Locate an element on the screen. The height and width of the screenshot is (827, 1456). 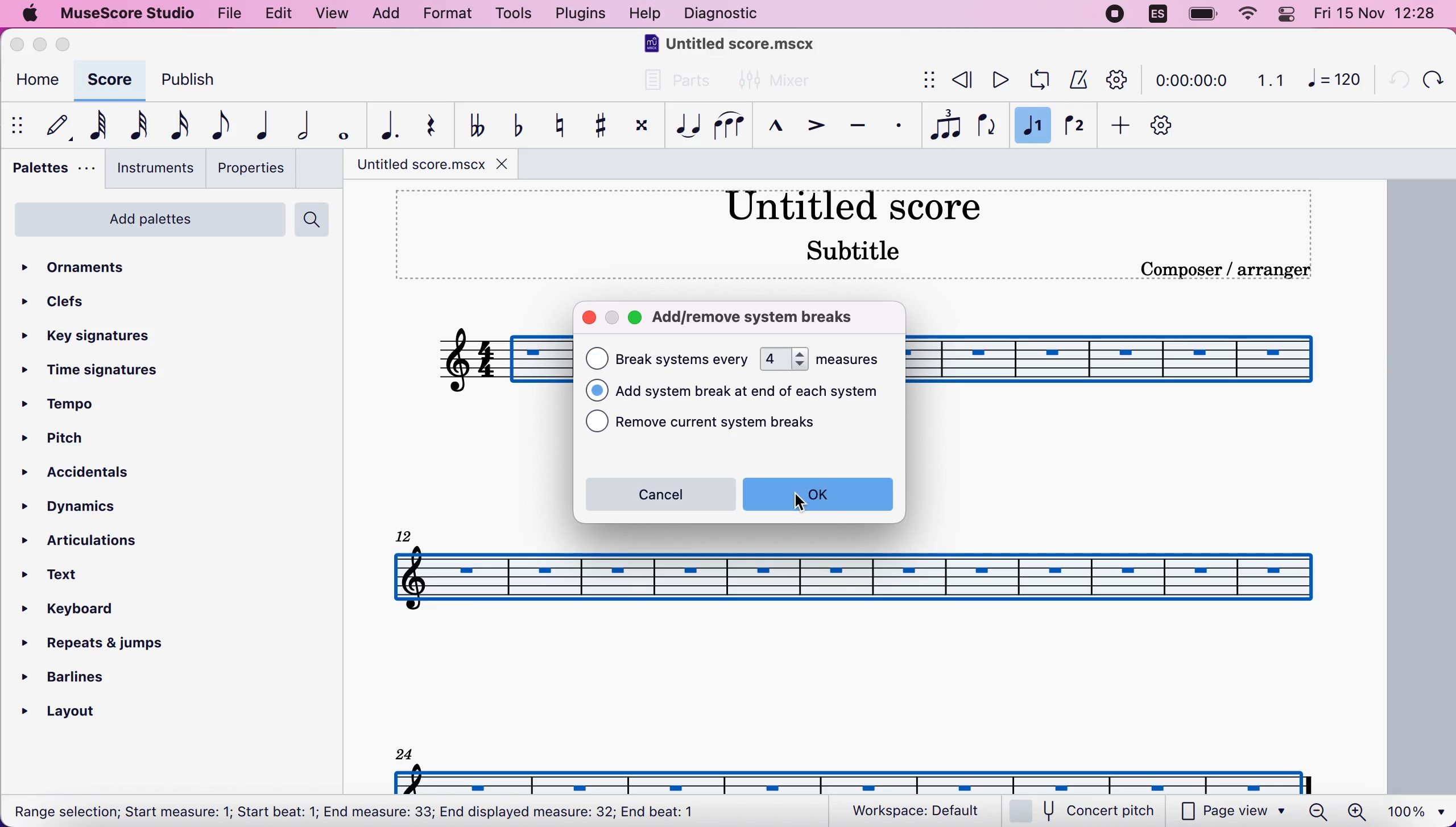
zoom out is located at coordinates (1318, 811).